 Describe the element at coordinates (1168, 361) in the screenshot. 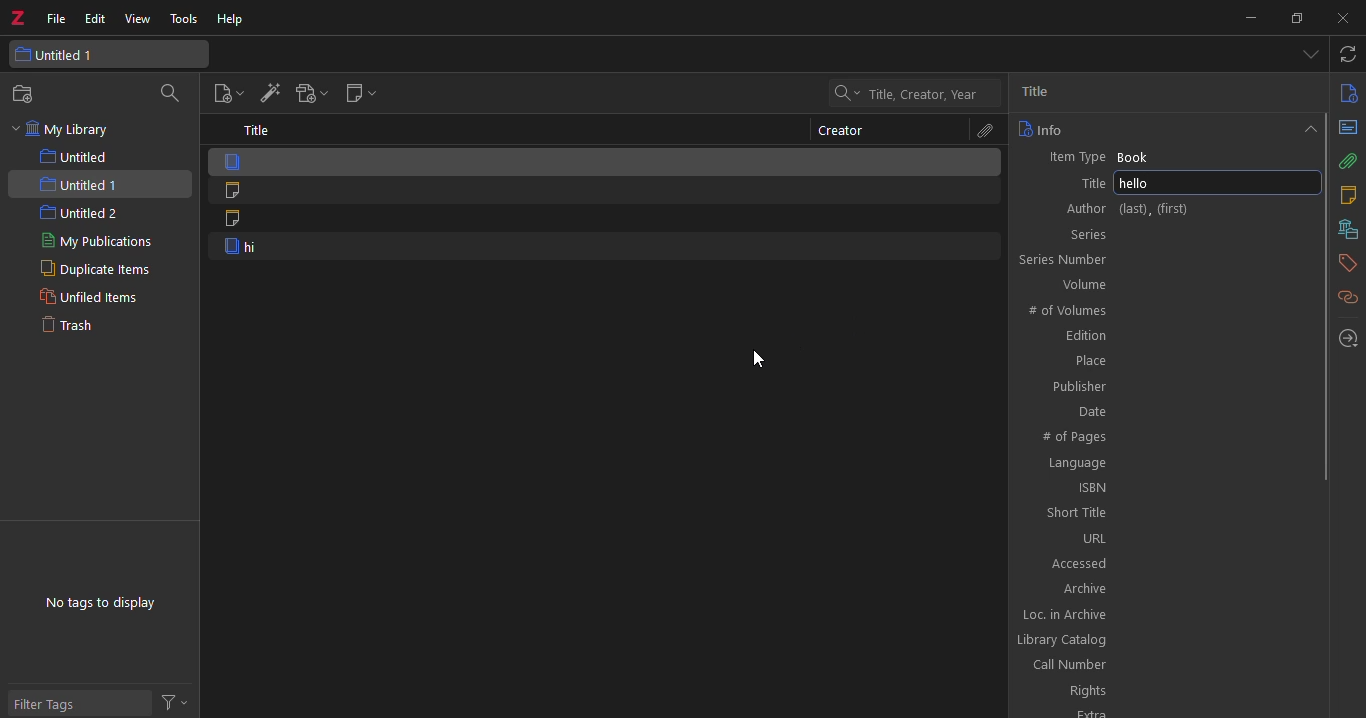

I see `Place` at that location.